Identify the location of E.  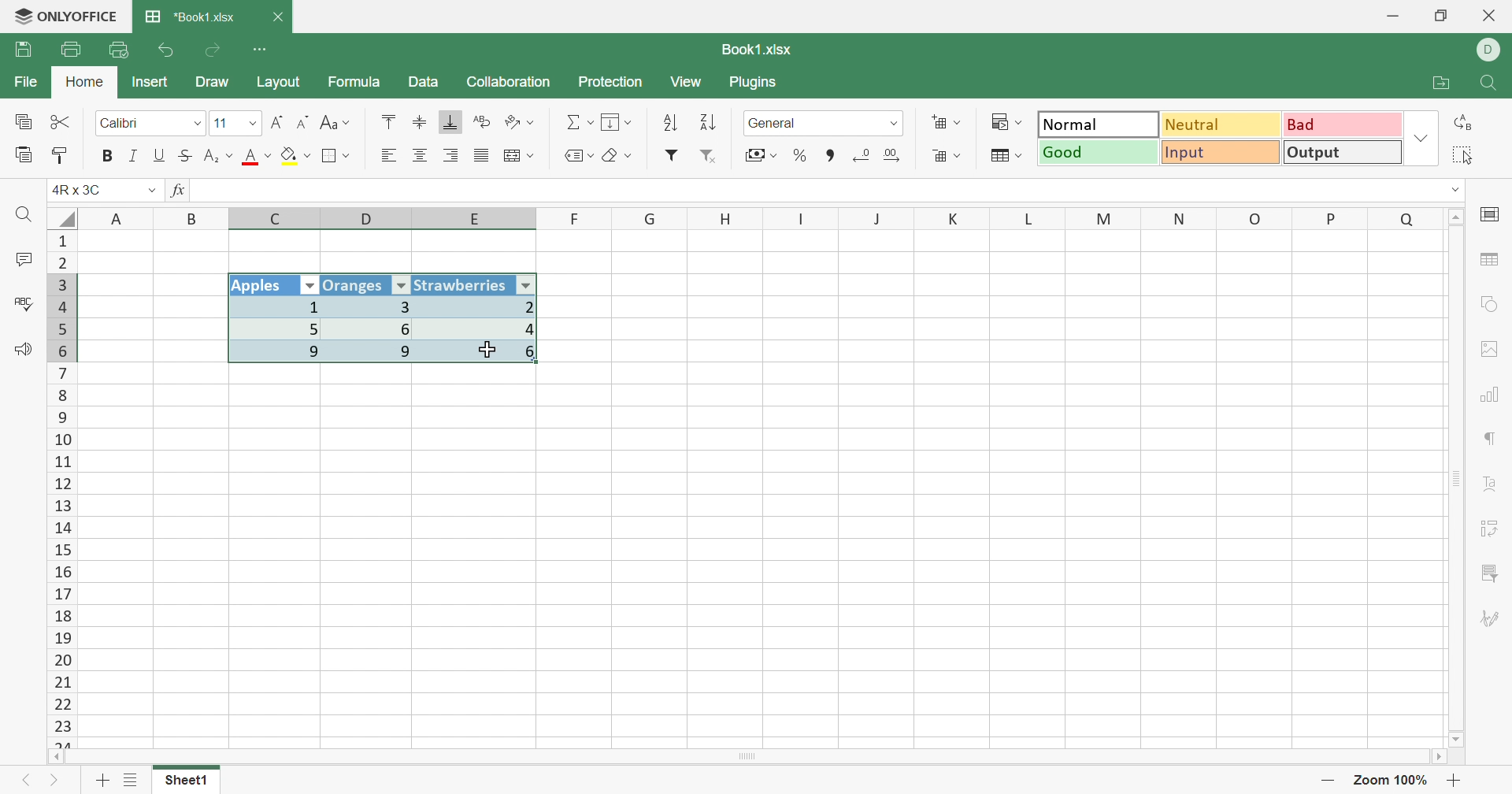
(480, 221).